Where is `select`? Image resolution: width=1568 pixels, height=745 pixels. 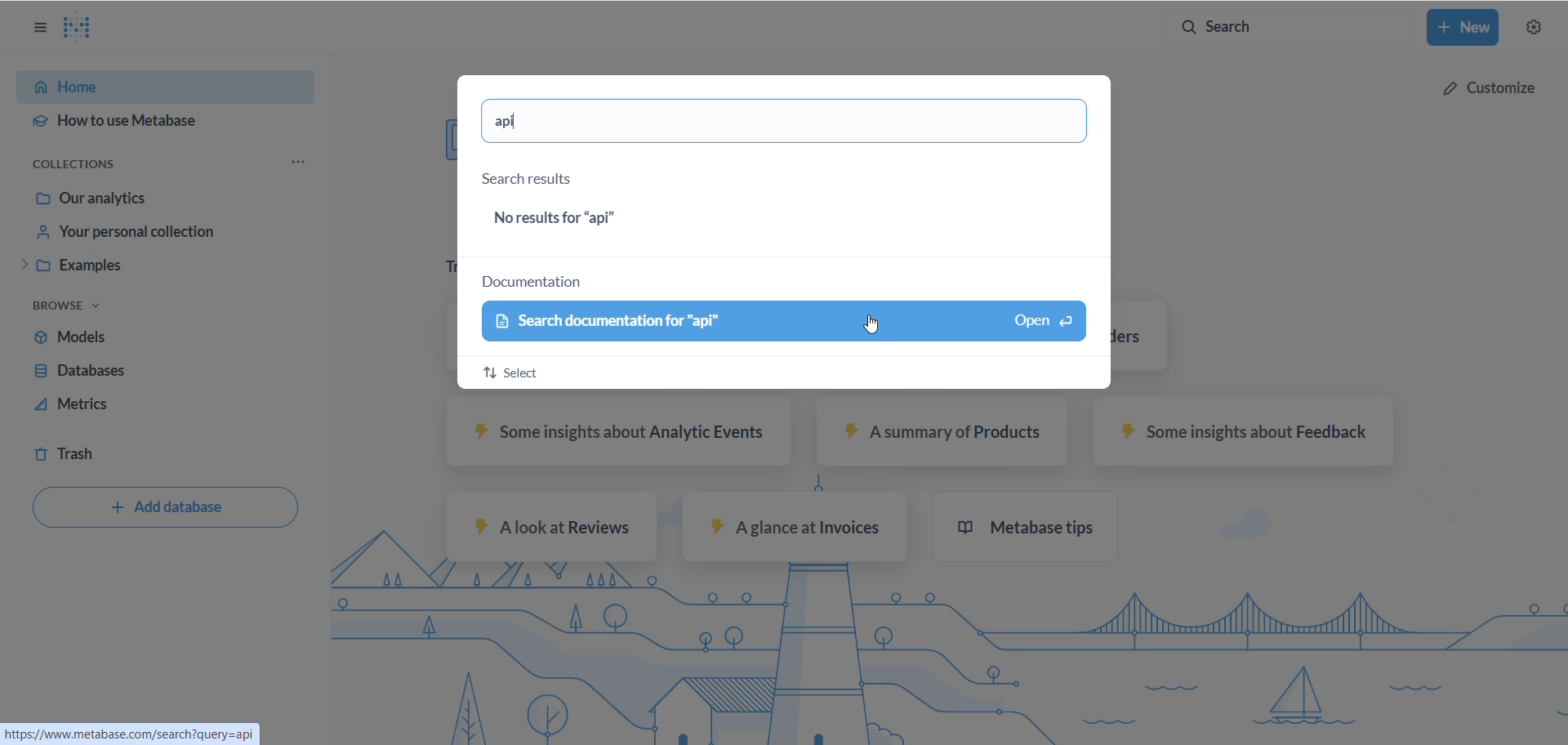
select is located at coordinates (530, 373).